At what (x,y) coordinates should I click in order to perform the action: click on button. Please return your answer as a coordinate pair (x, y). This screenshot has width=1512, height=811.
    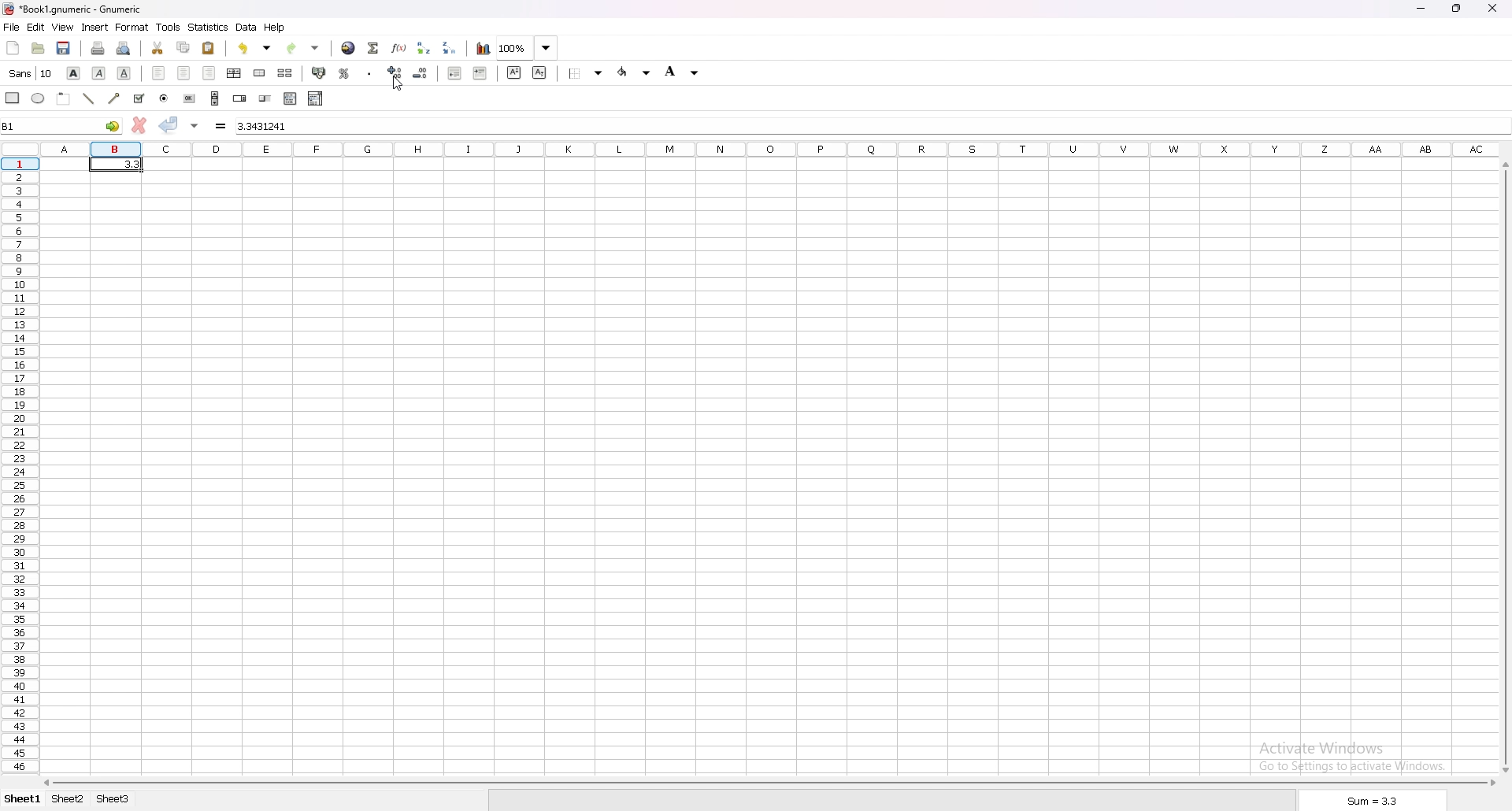
    Looking at the image, I should click on (189, 98).